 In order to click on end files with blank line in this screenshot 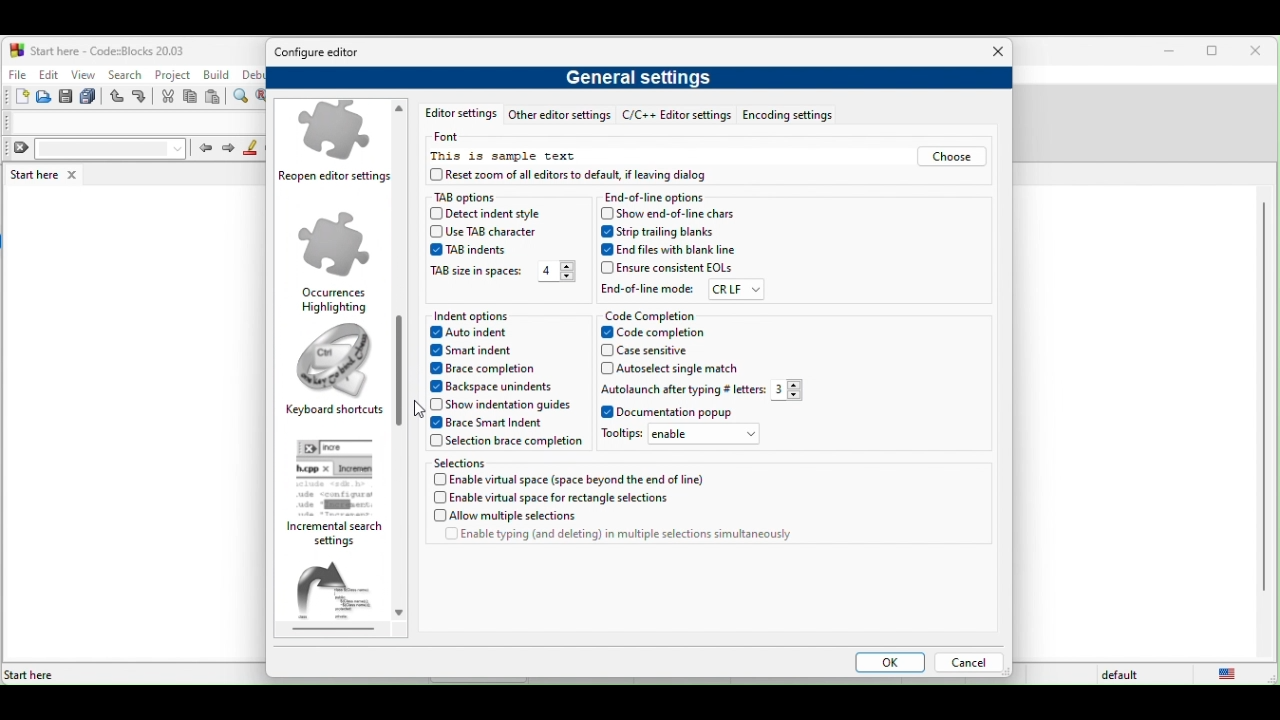, I will do `click(671, 250)`.